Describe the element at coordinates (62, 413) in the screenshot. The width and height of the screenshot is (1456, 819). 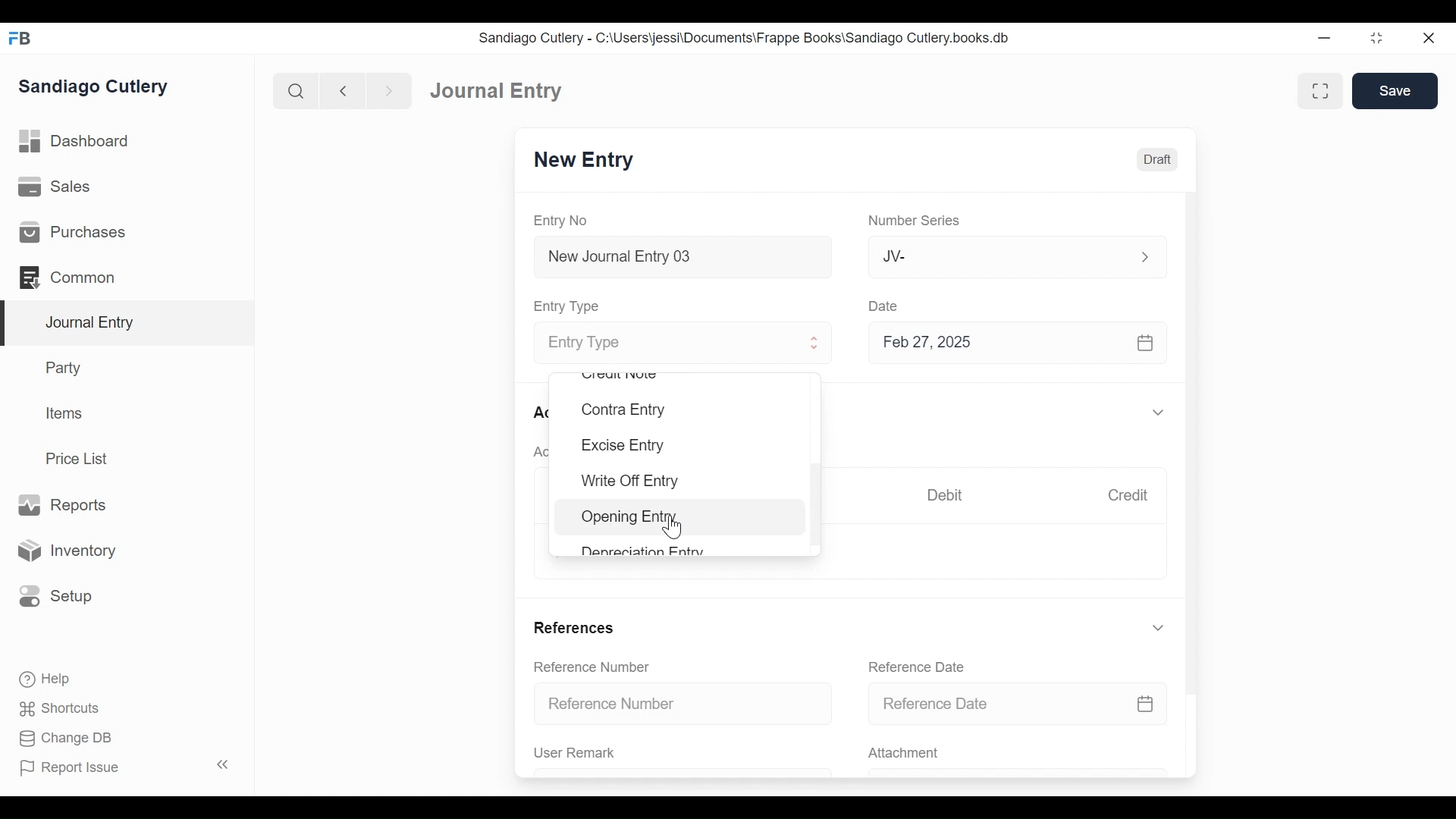
I see `Items` at that location.